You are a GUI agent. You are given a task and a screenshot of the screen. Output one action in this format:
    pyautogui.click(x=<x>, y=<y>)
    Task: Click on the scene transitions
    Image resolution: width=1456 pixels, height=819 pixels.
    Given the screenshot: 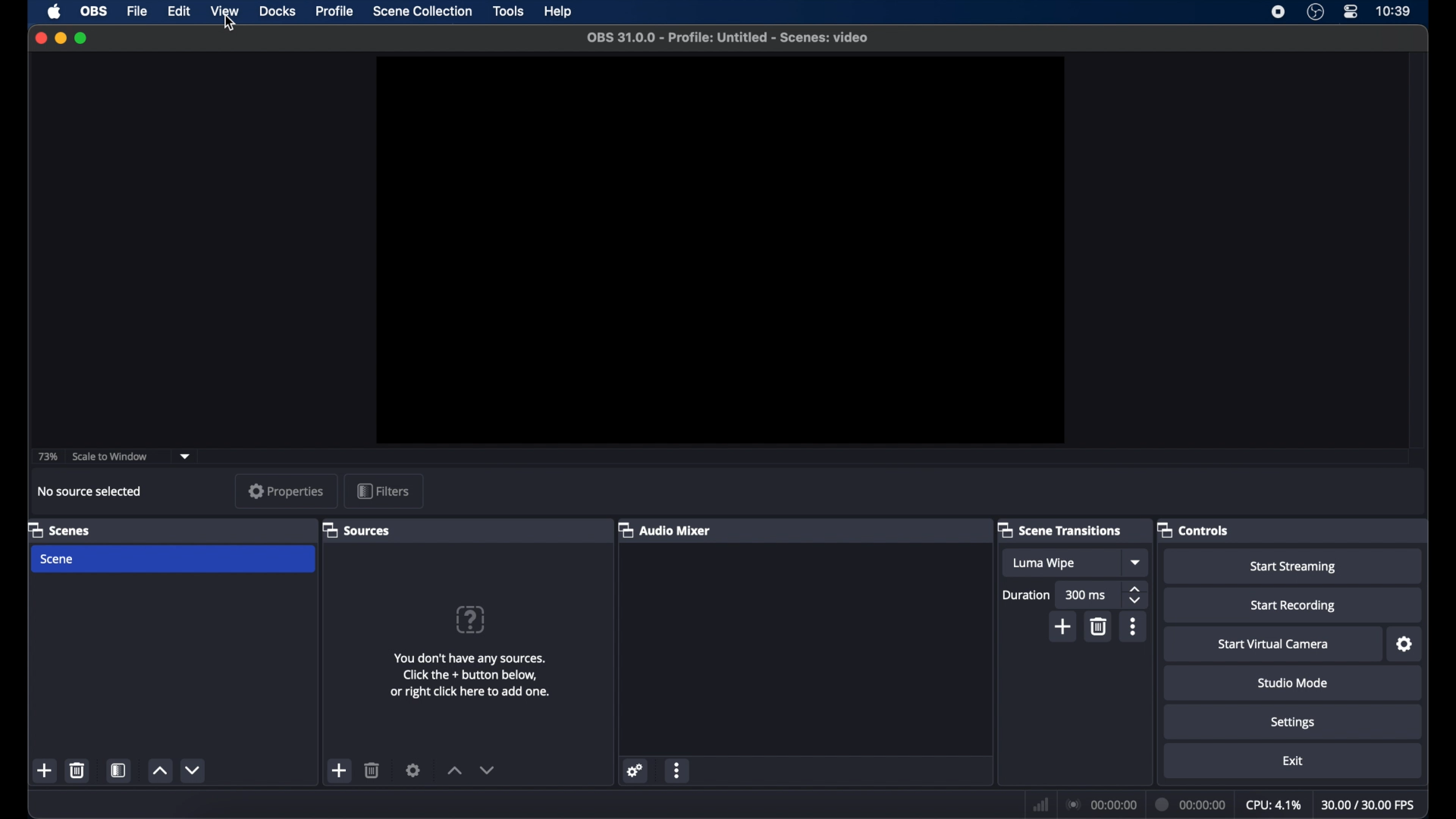 What is the action you would take?
    pyautogui.click(x=1059, y=529)
    